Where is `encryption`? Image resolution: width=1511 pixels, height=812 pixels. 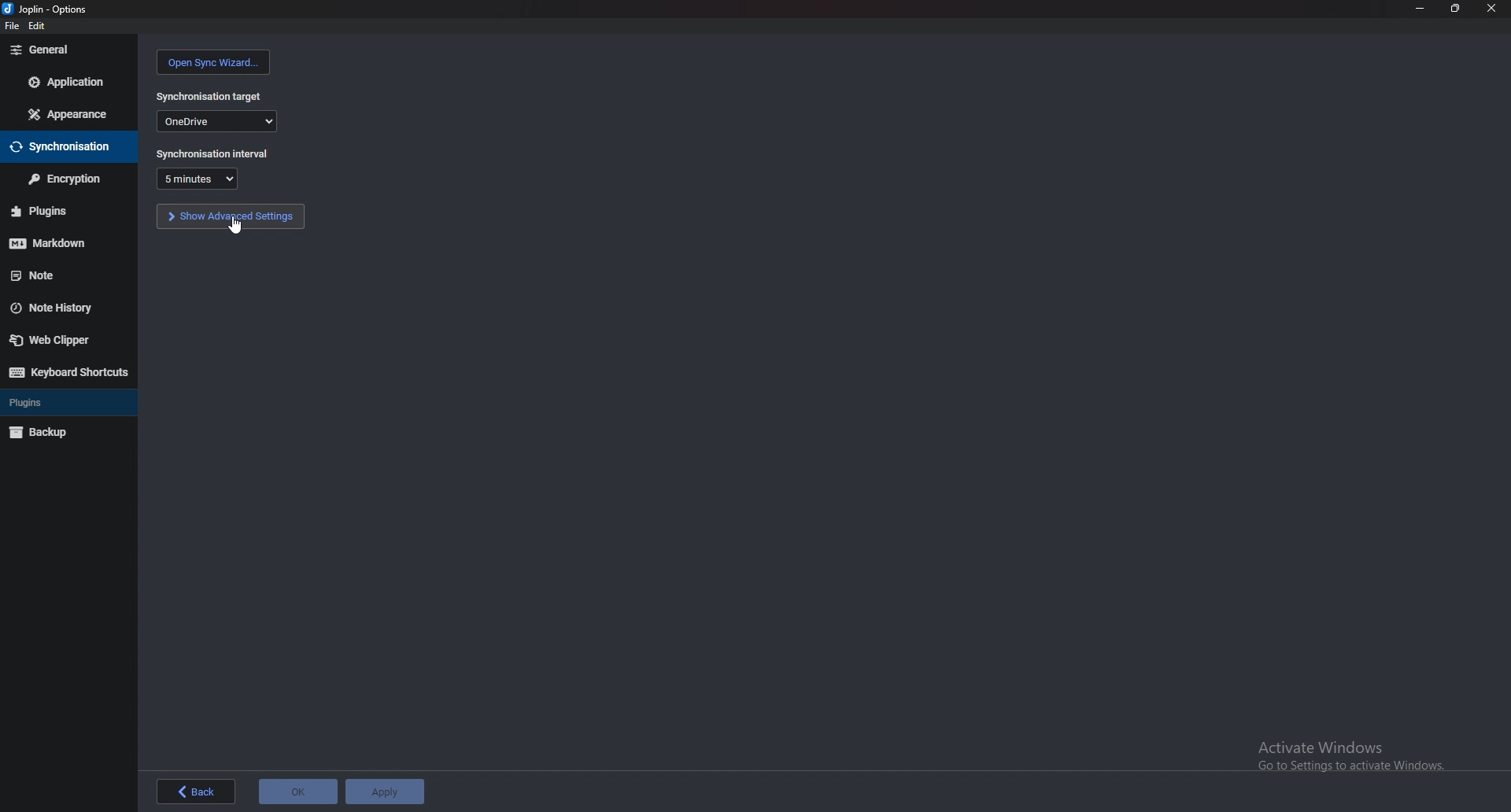
encryption is located at coordinates (66, 179).